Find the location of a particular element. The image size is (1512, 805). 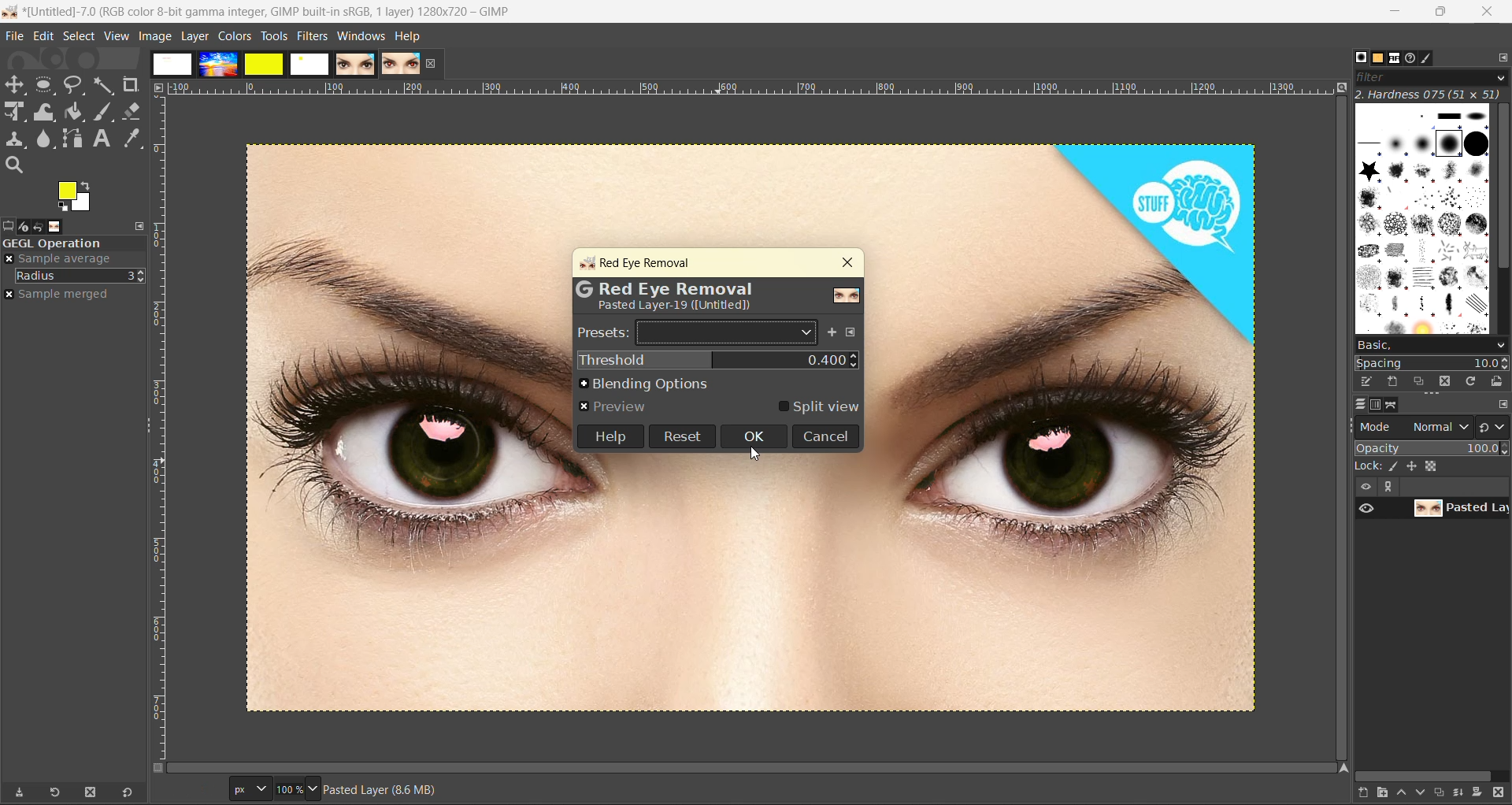

close is located at coordinates (1488, 12).